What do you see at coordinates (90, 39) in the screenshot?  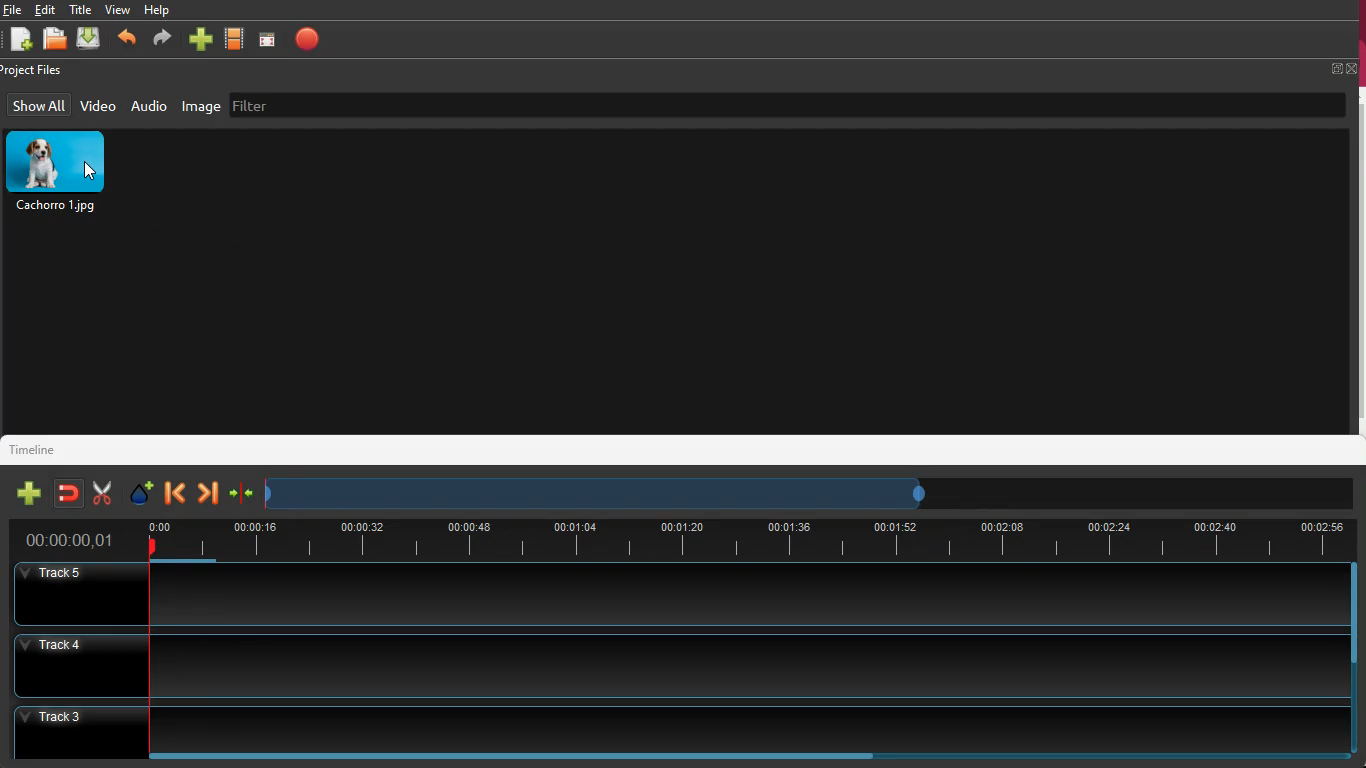 I see `upload` at bounding box center [90, 39].